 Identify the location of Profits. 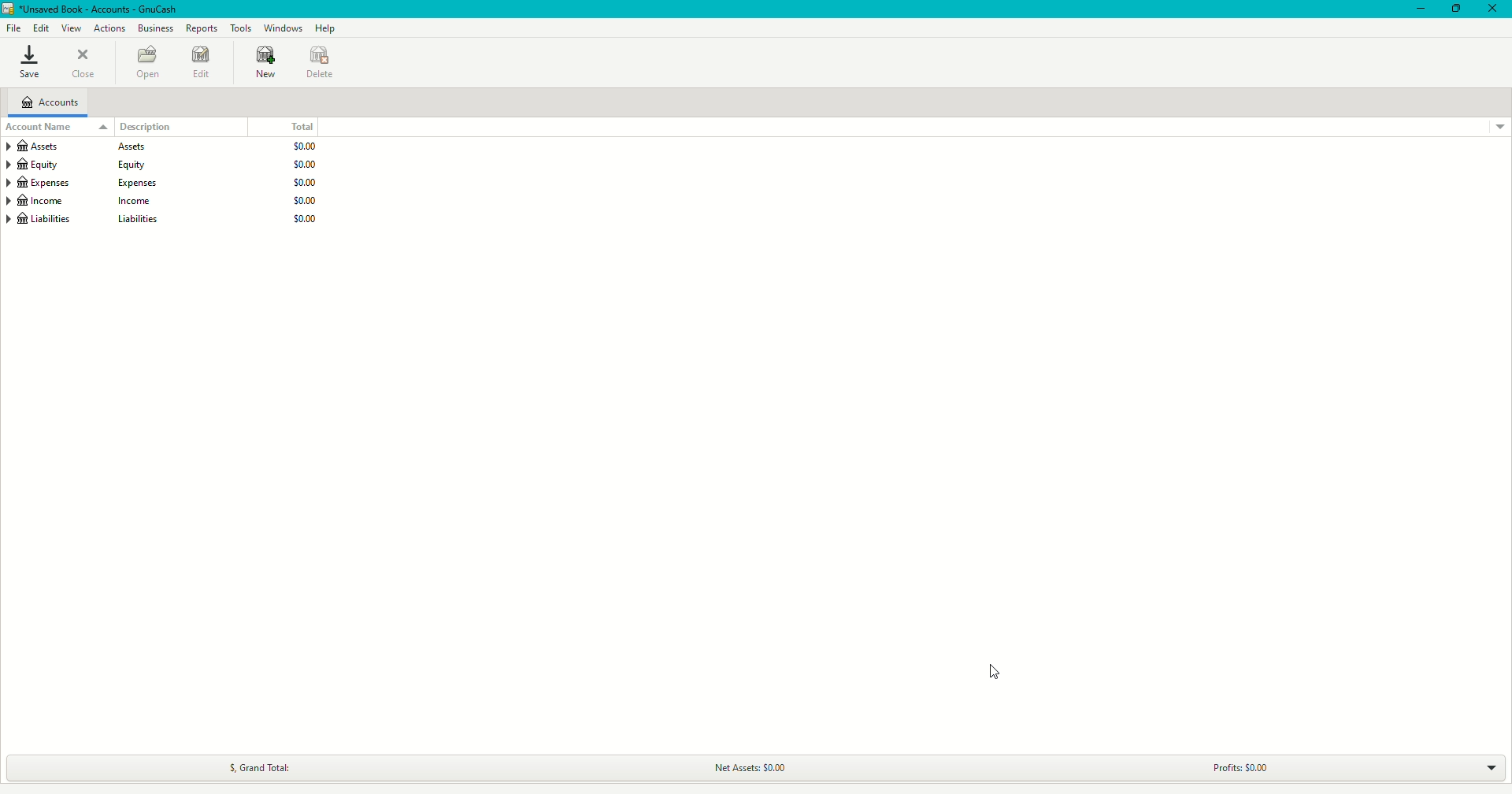
(1253, 763).